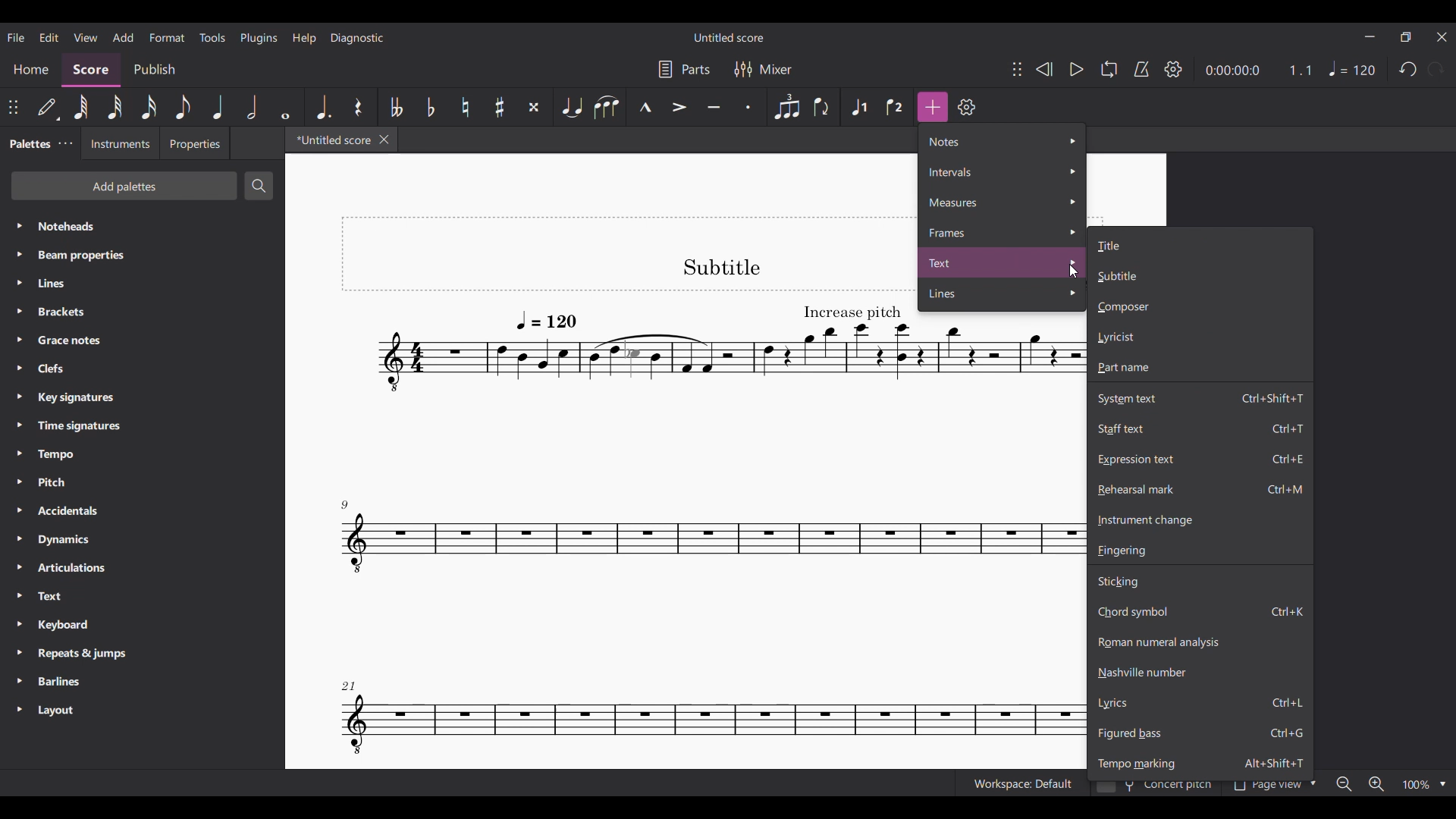 The image size is (1456, 819). I want to click on Flip direction, so click(824, 107).